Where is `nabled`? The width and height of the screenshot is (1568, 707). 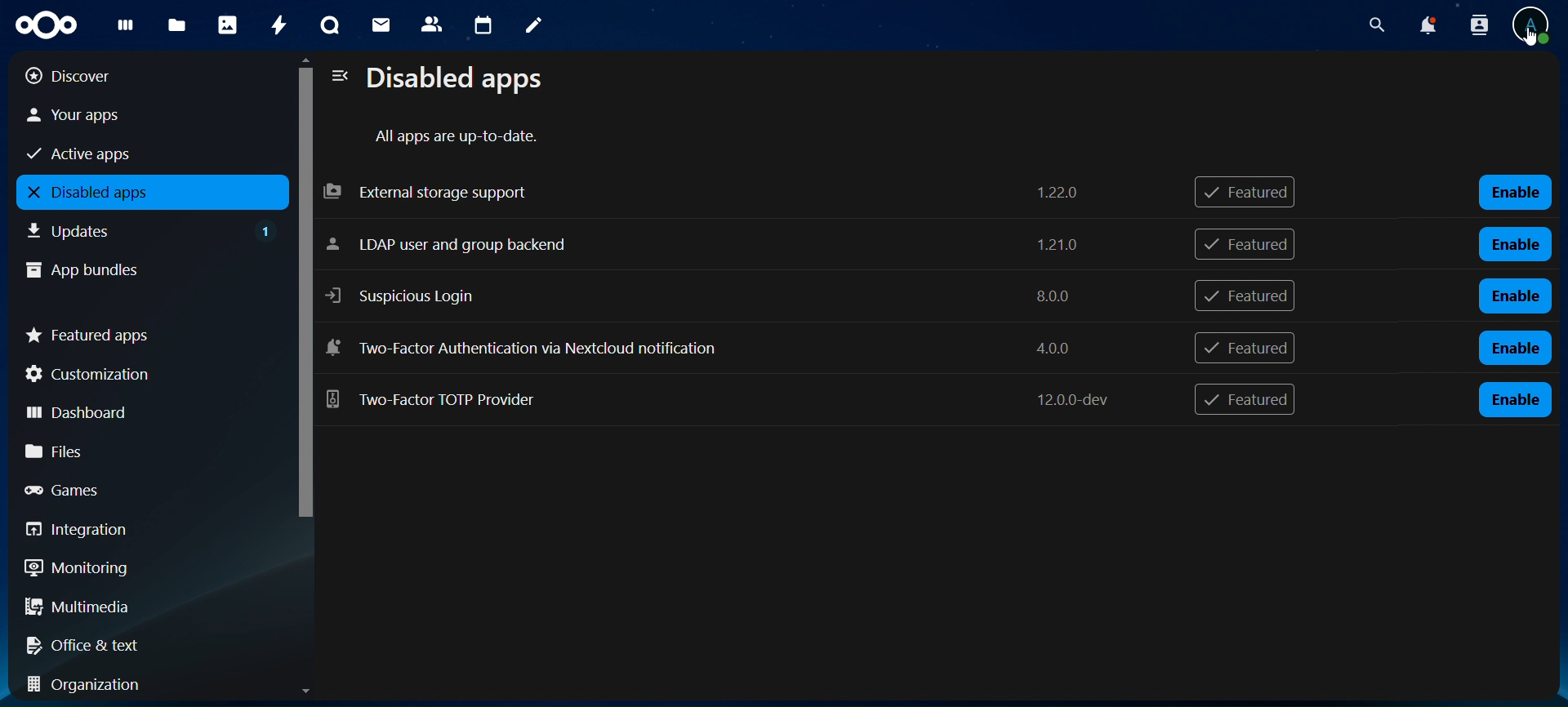
nabled is located at coordinates (1518, 193).